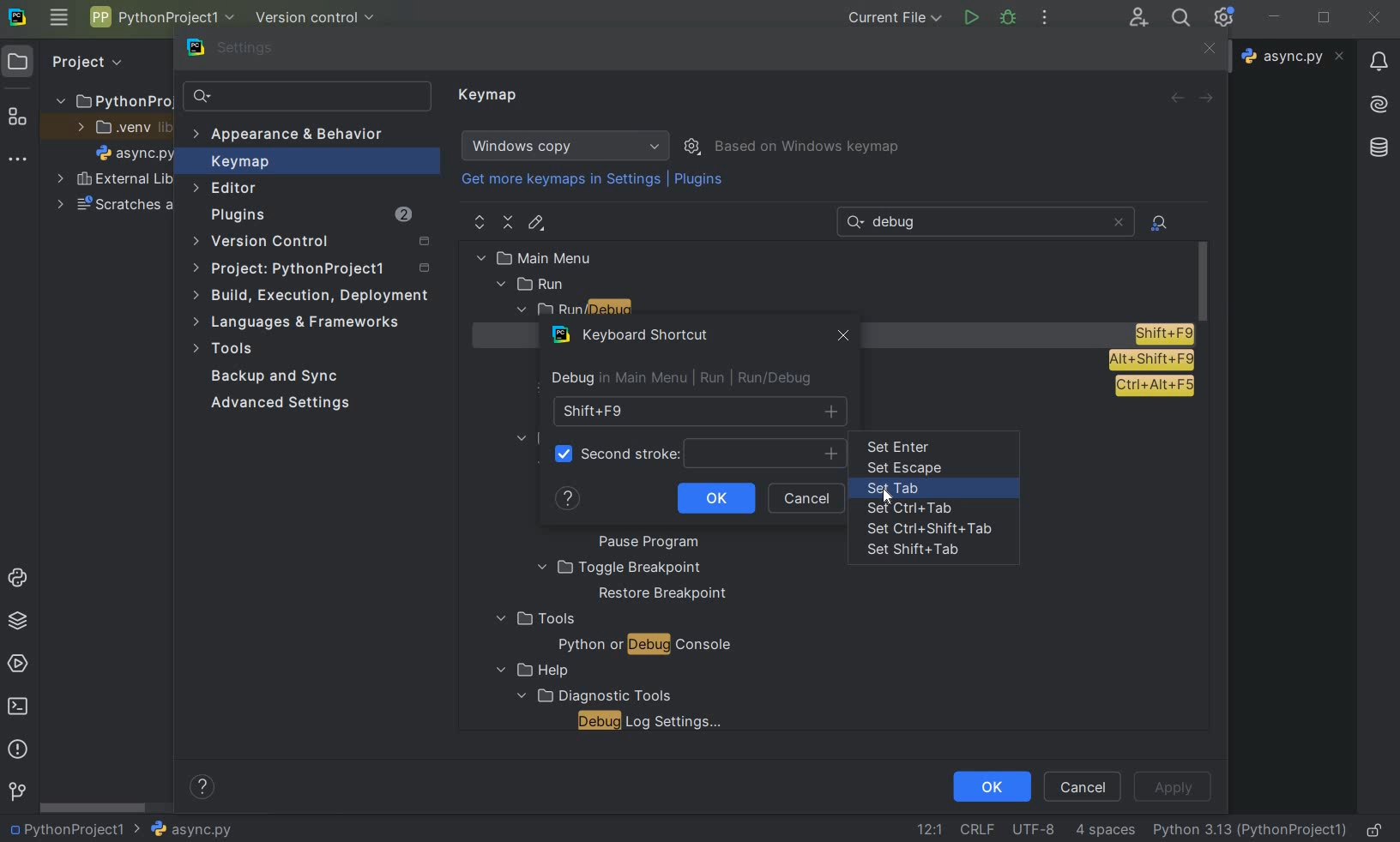 The height and width of the screenshot is (842, 1400). Describe the element at coordinates (702, 453) in the screenshot. I see `second stroke` at that location.